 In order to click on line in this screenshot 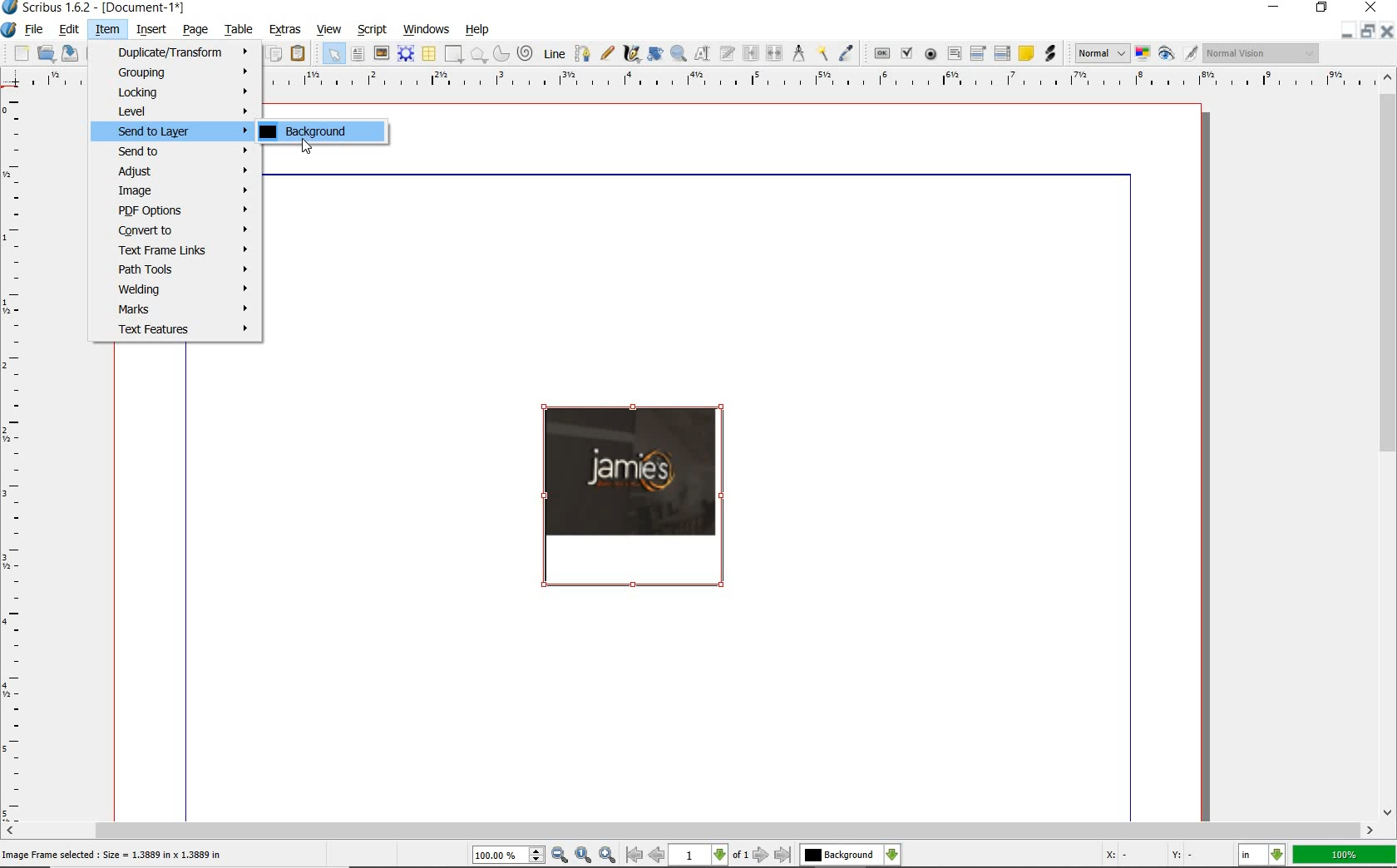, I will do `click(555, 52)`.